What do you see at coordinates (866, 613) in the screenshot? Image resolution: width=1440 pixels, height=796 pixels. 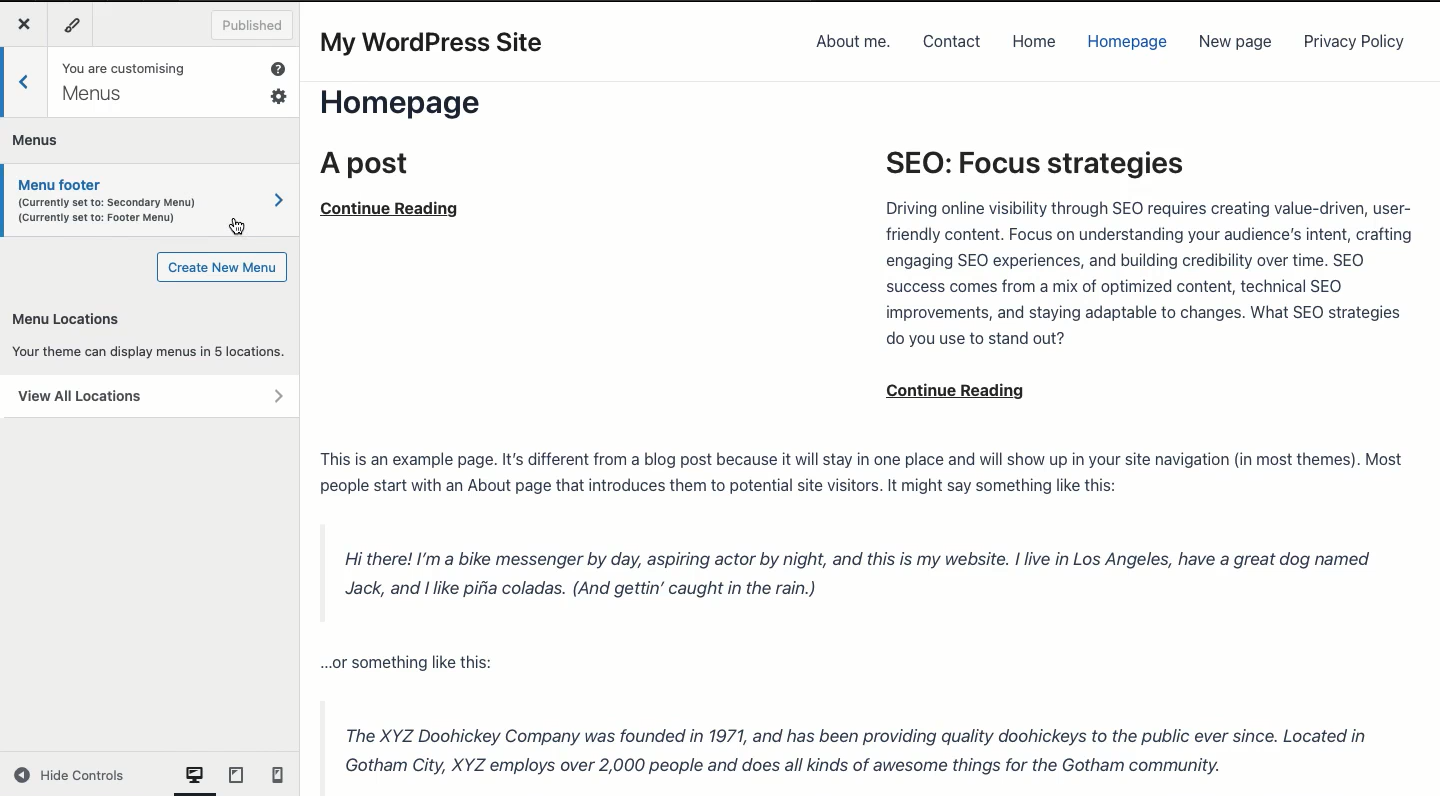 I see `Post content` at bounding box center [866, 613].